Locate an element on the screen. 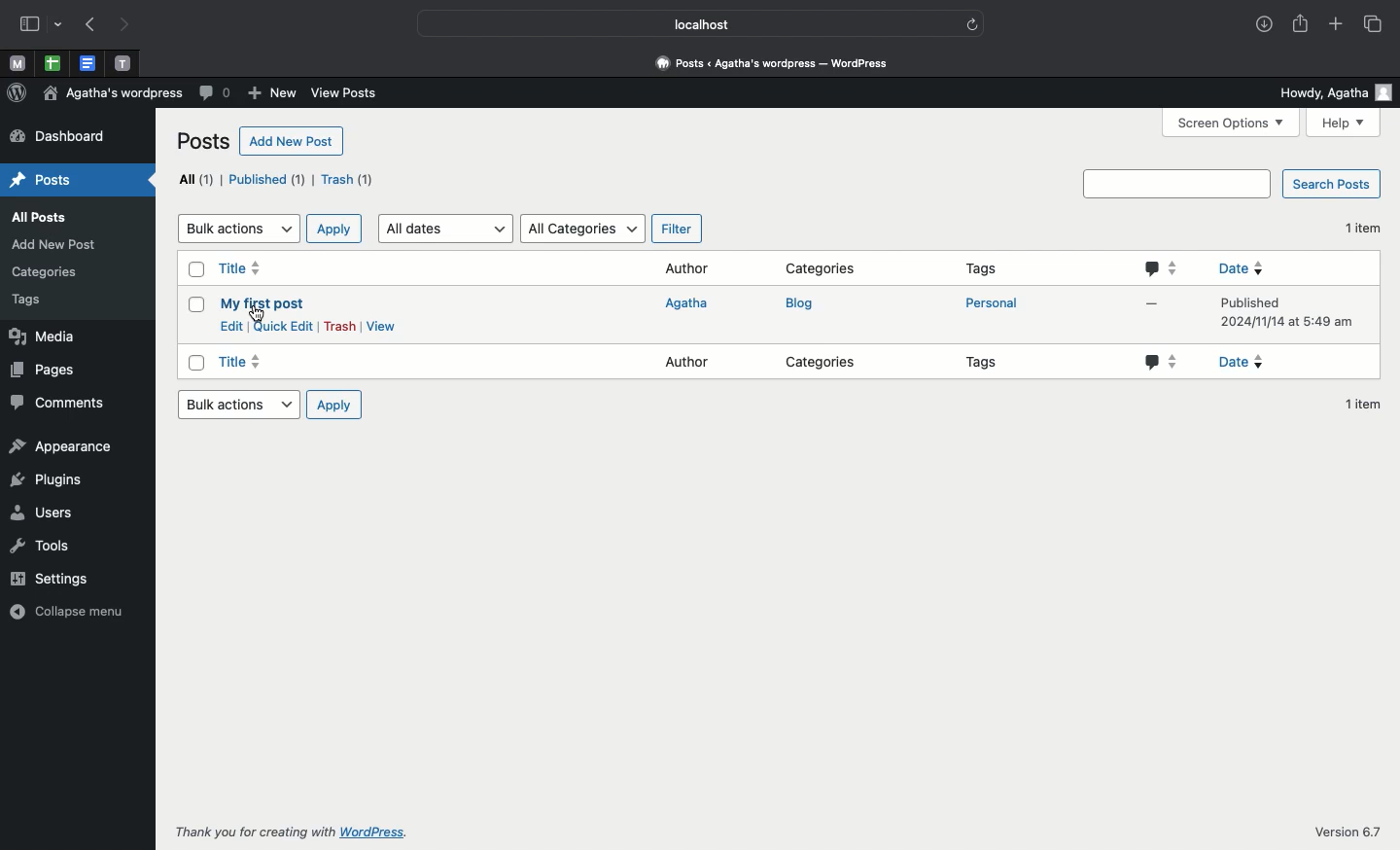 This screenshot has height=850, width=1400. Posts is located at coordinates (200, 142).